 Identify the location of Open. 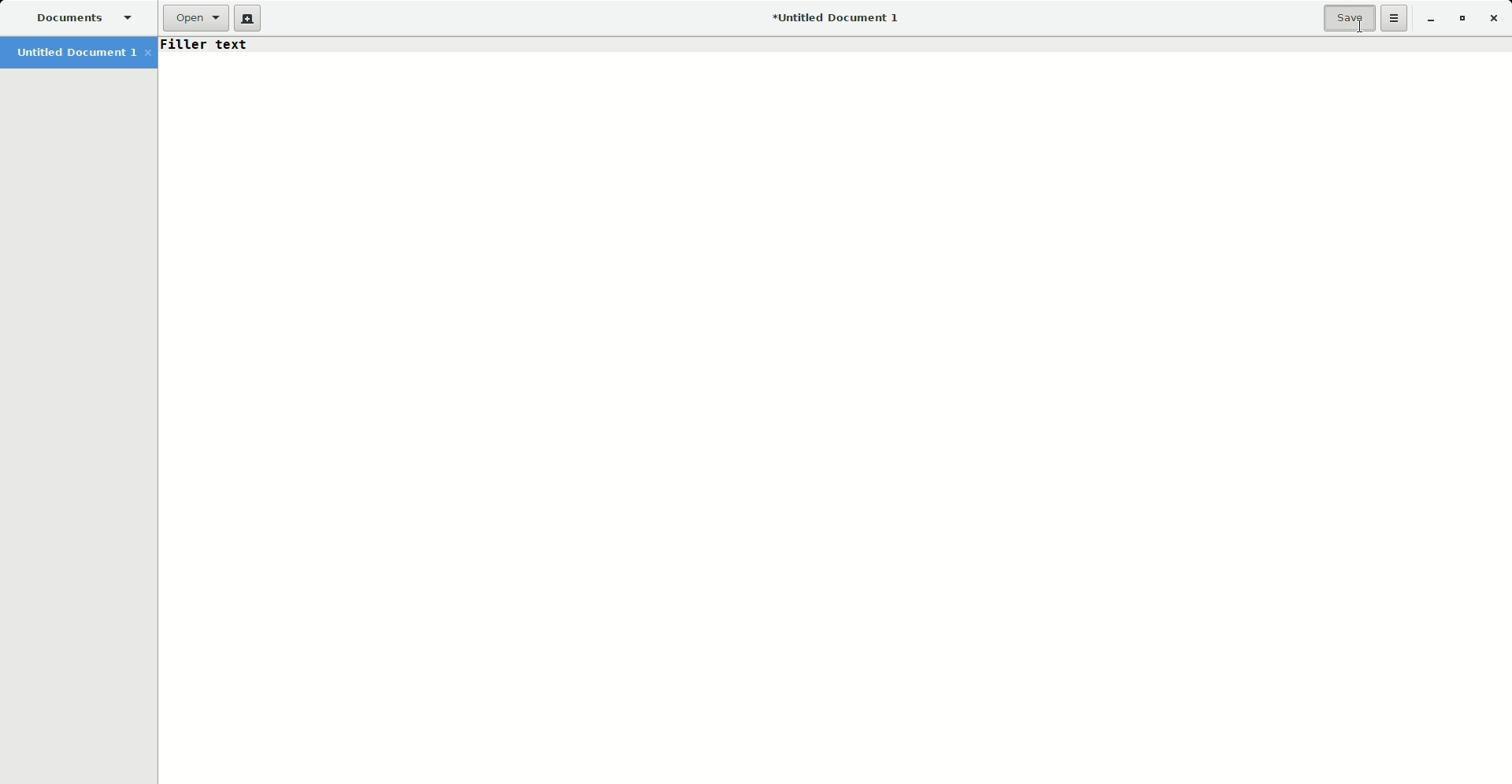
(195, 20).